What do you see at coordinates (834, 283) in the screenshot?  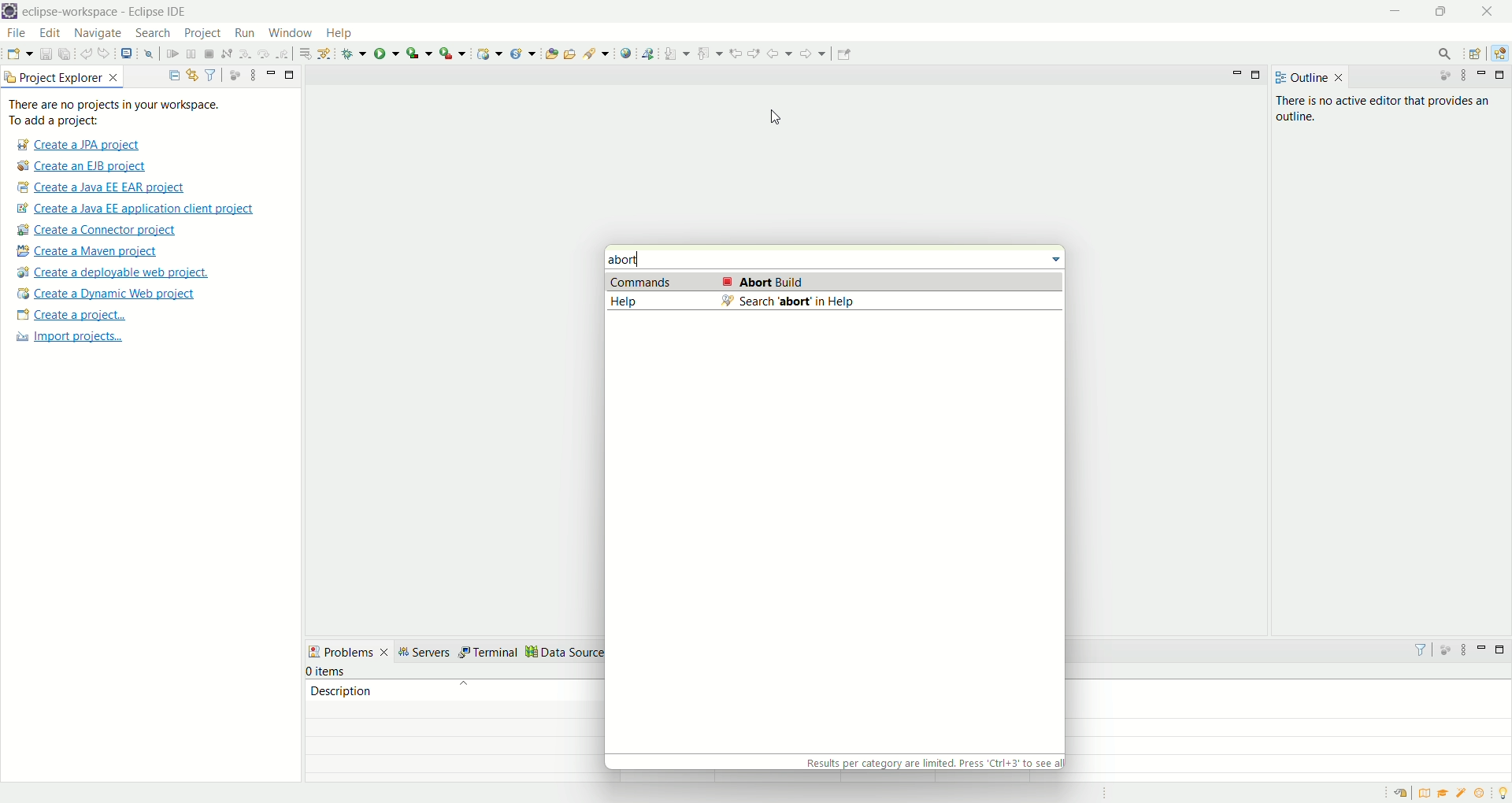 I see `commands` at bounding box center [834, 283].